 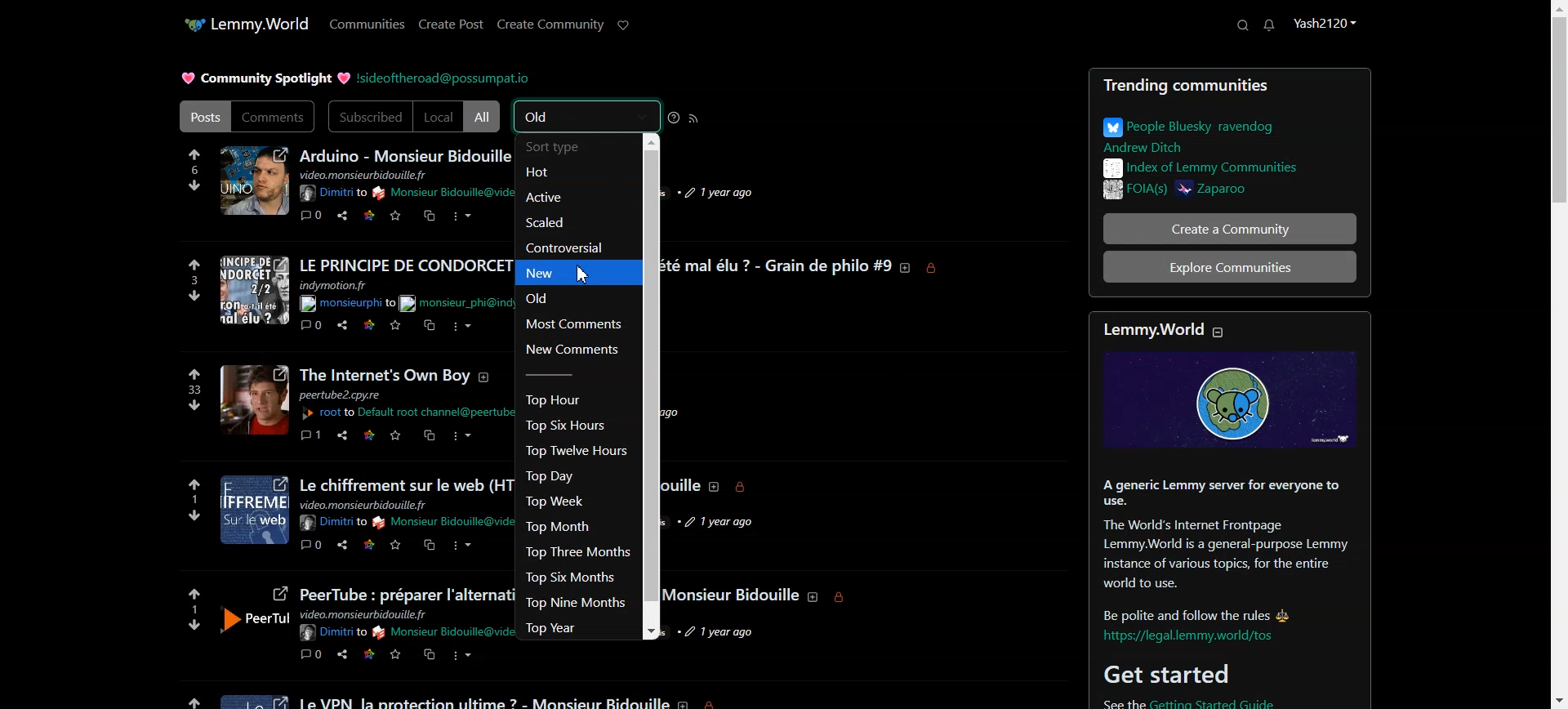 I want to click on New, so click(x=573, y=273).